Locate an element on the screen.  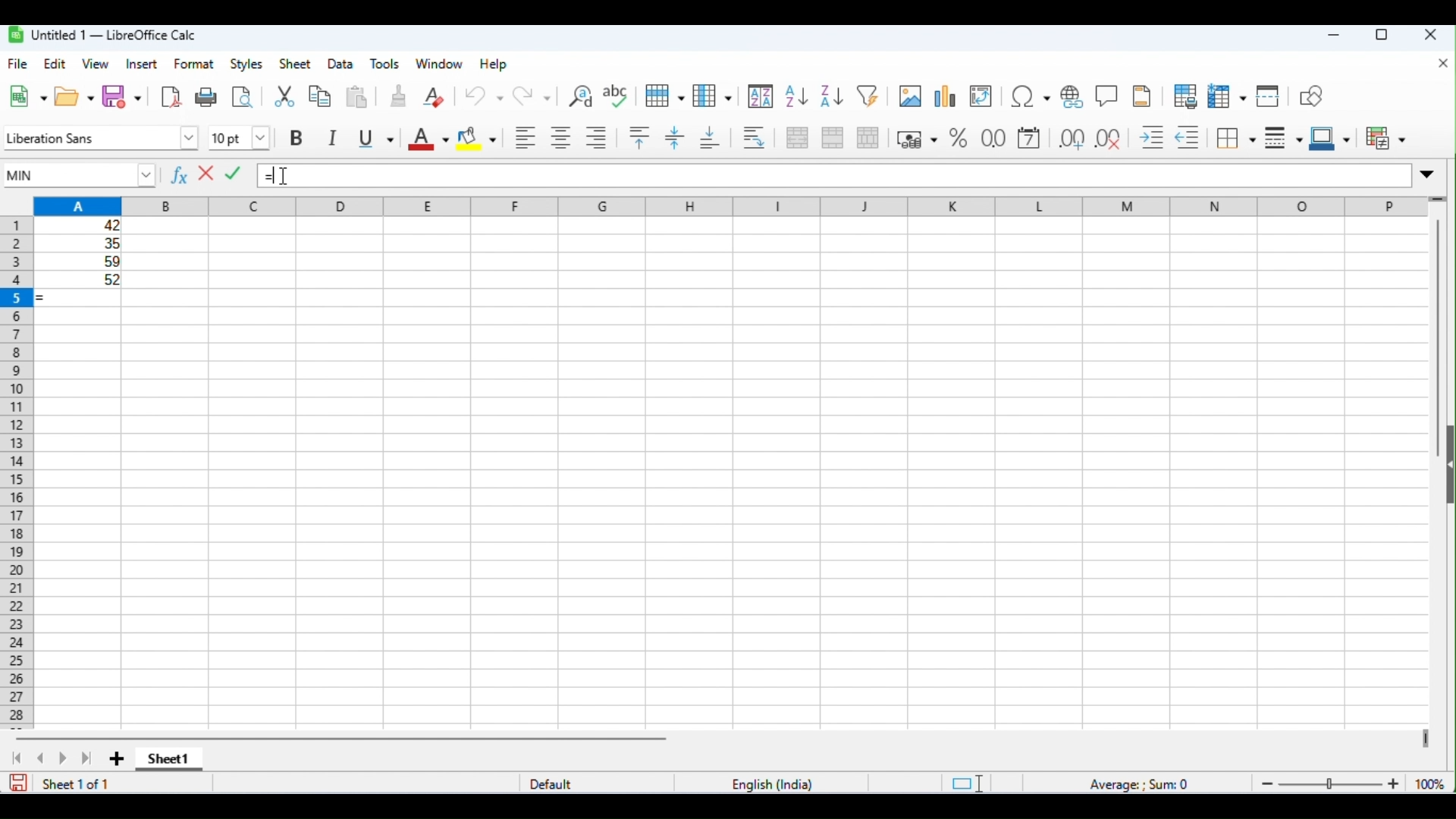
styles is located at coordinates (246, 64).